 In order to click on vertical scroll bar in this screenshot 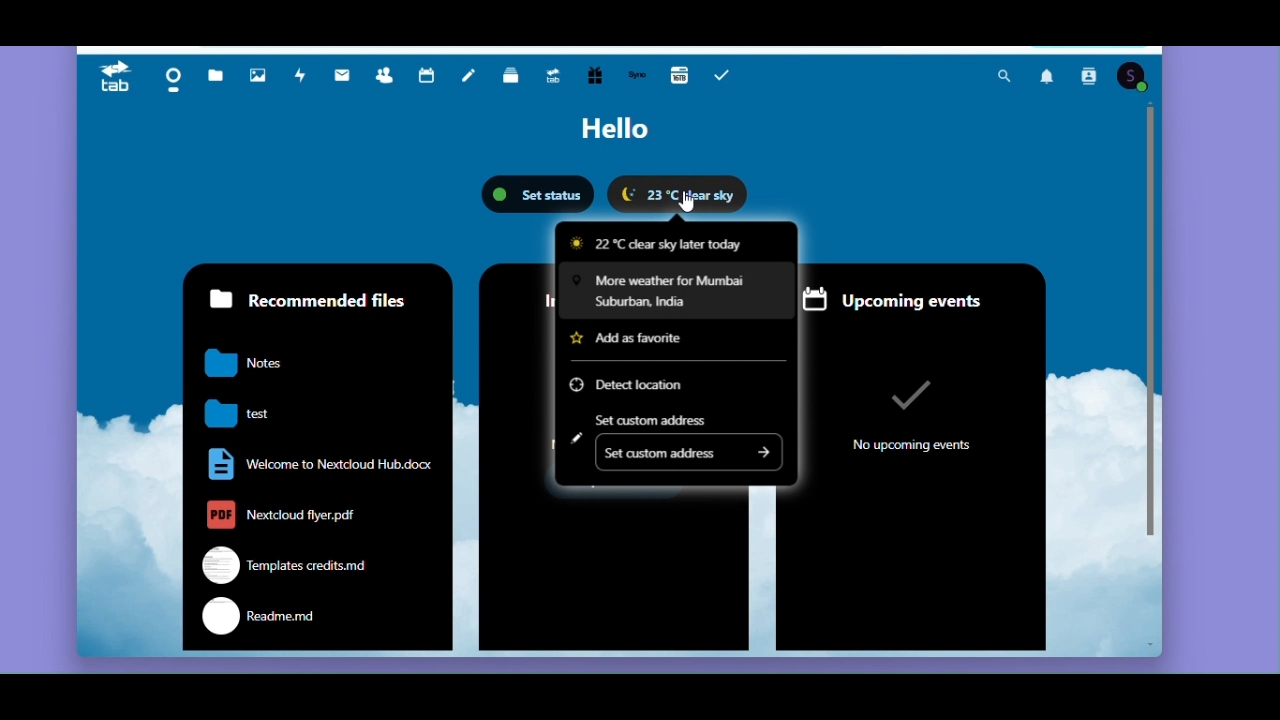, I will do `click(1148, 314)`.